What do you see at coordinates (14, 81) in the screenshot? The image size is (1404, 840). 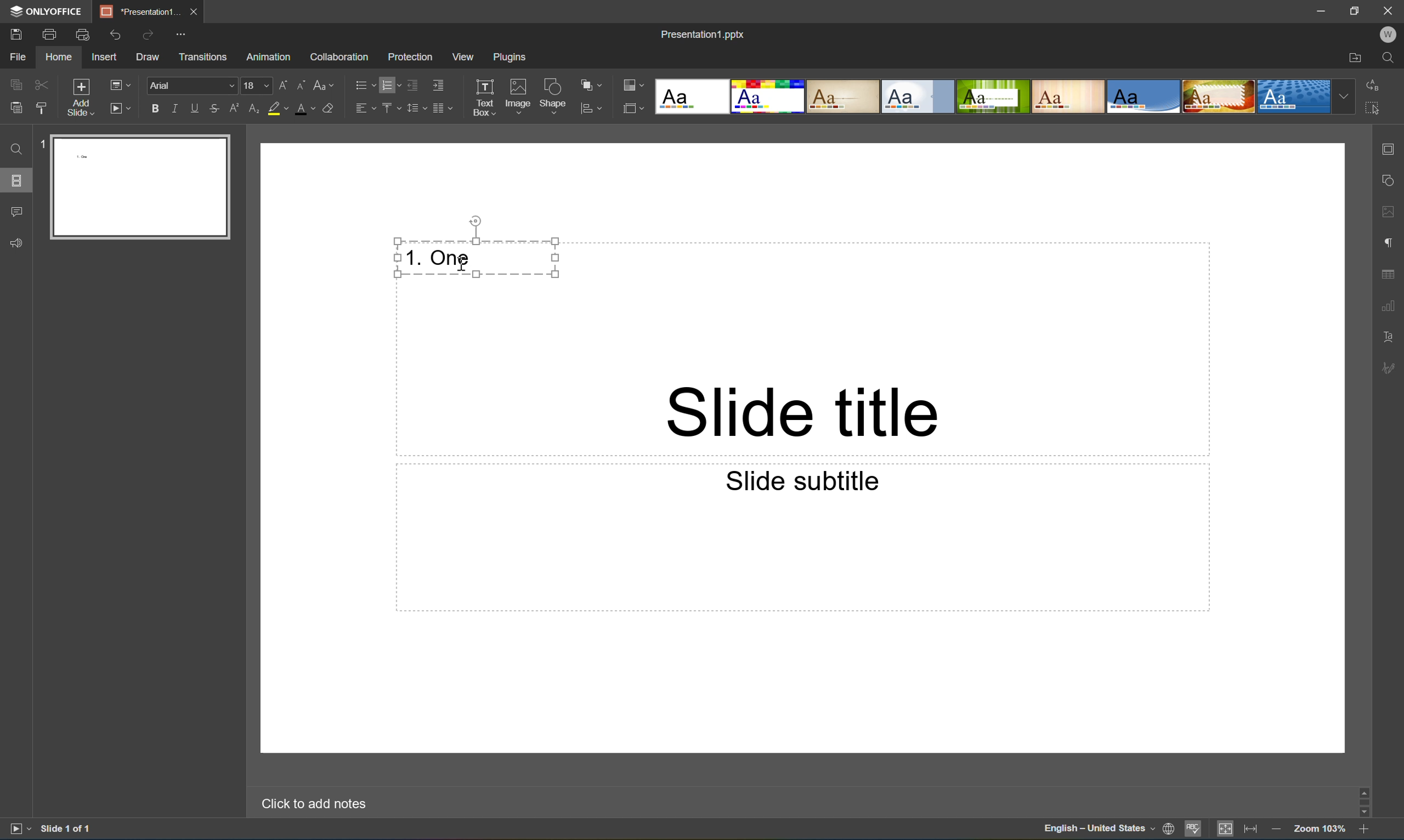 I see `Copy` at bounding box center [14, 81].